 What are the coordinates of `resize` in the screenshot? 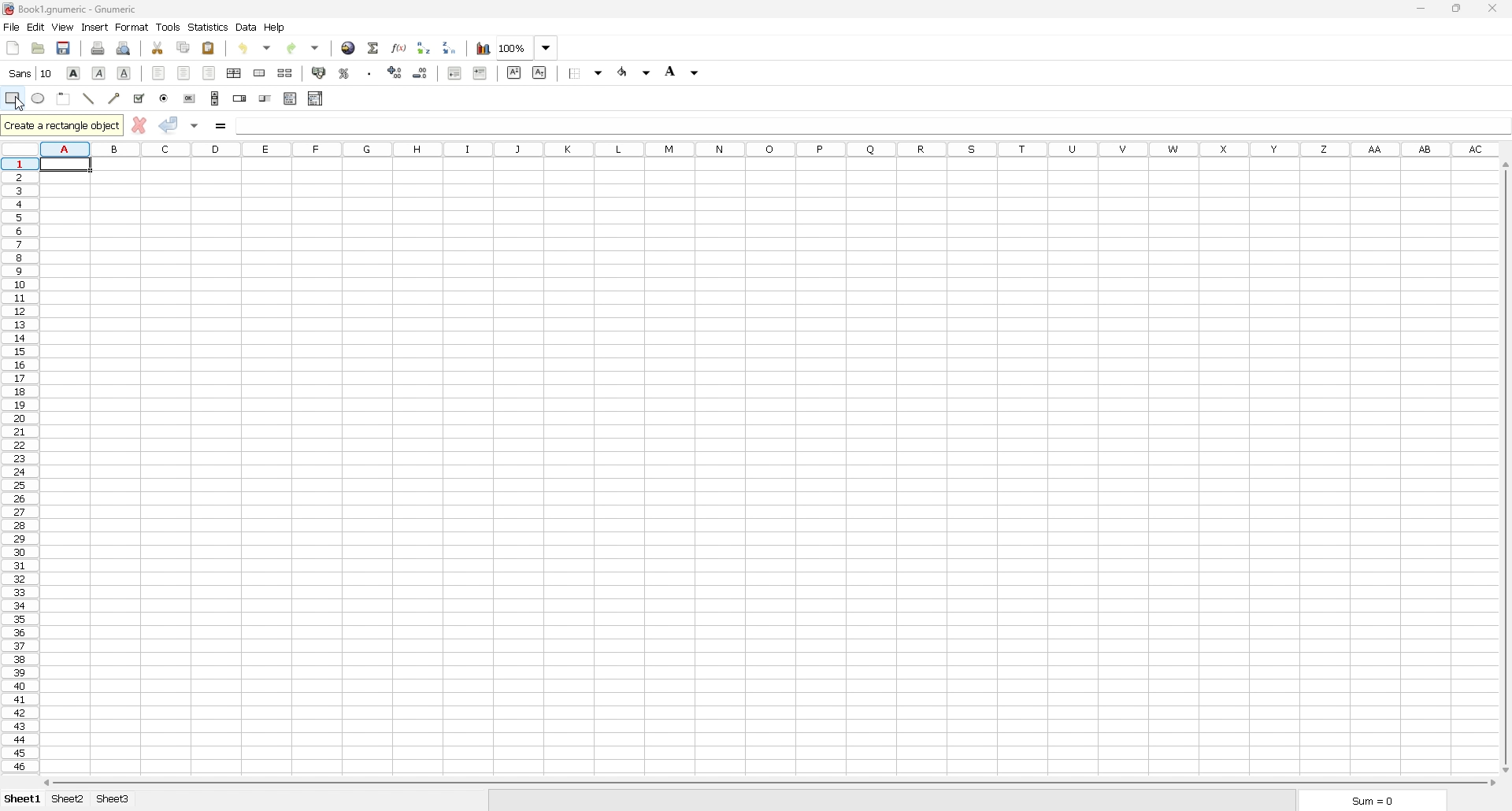 It's located at (1455, 9).